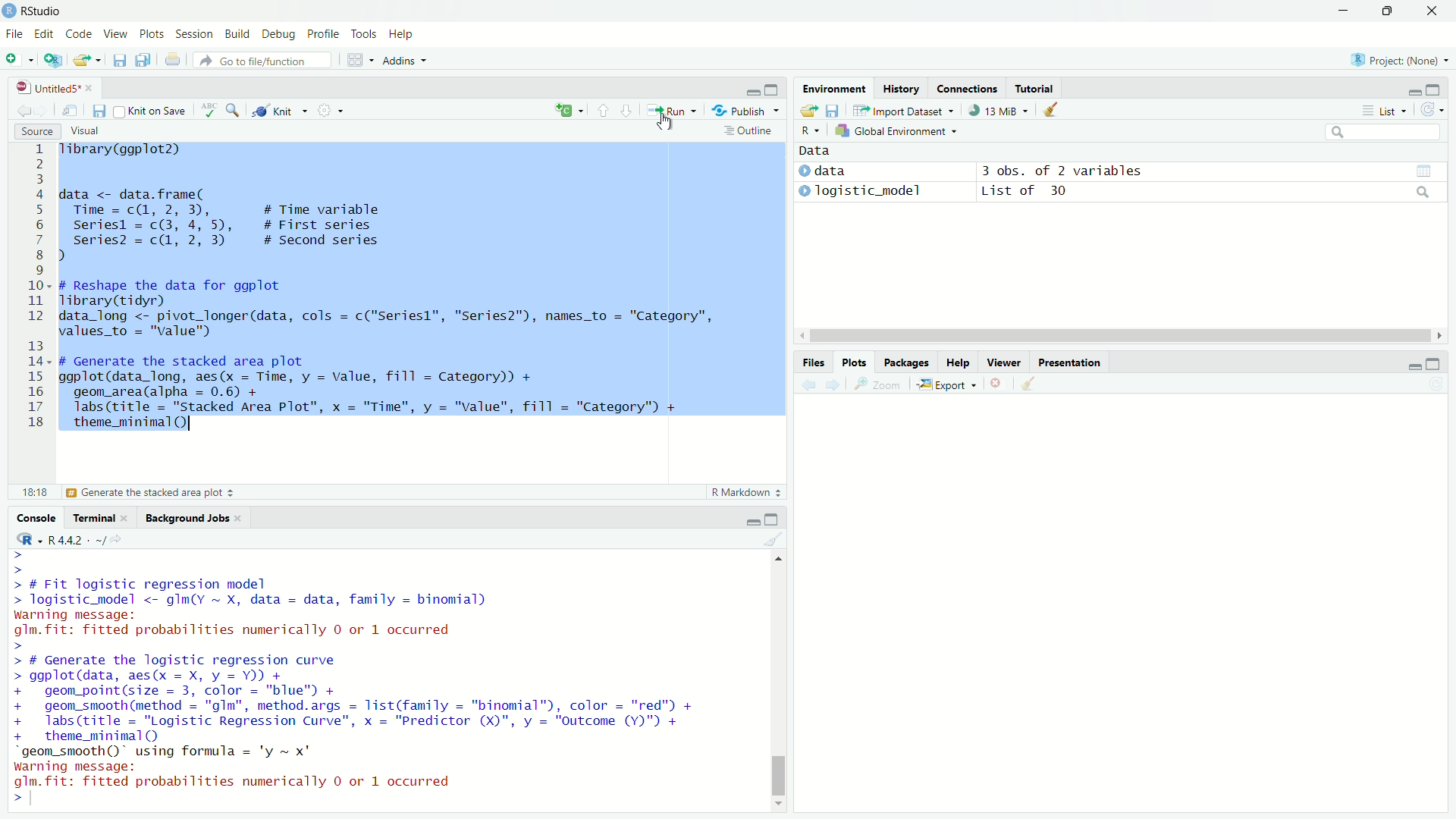 Image resolution: width=1456 pixels, height=819 pixels. What do you see at coordinates (1434, 88) in the screenshot?
I see `maximise` at bounding box center [1434, 88].